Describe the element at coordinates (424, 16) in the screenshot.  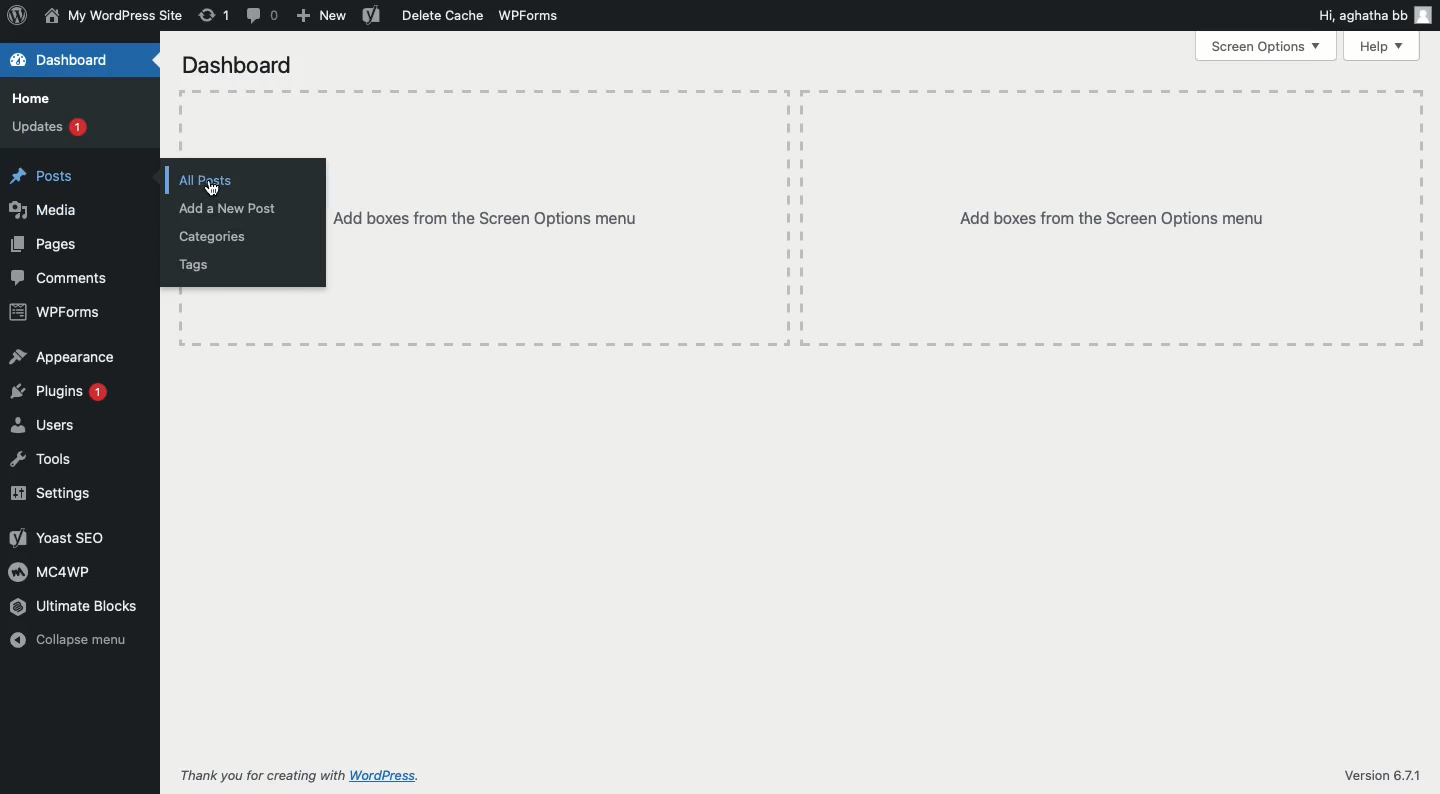
I see `Delete Cache` at that location.